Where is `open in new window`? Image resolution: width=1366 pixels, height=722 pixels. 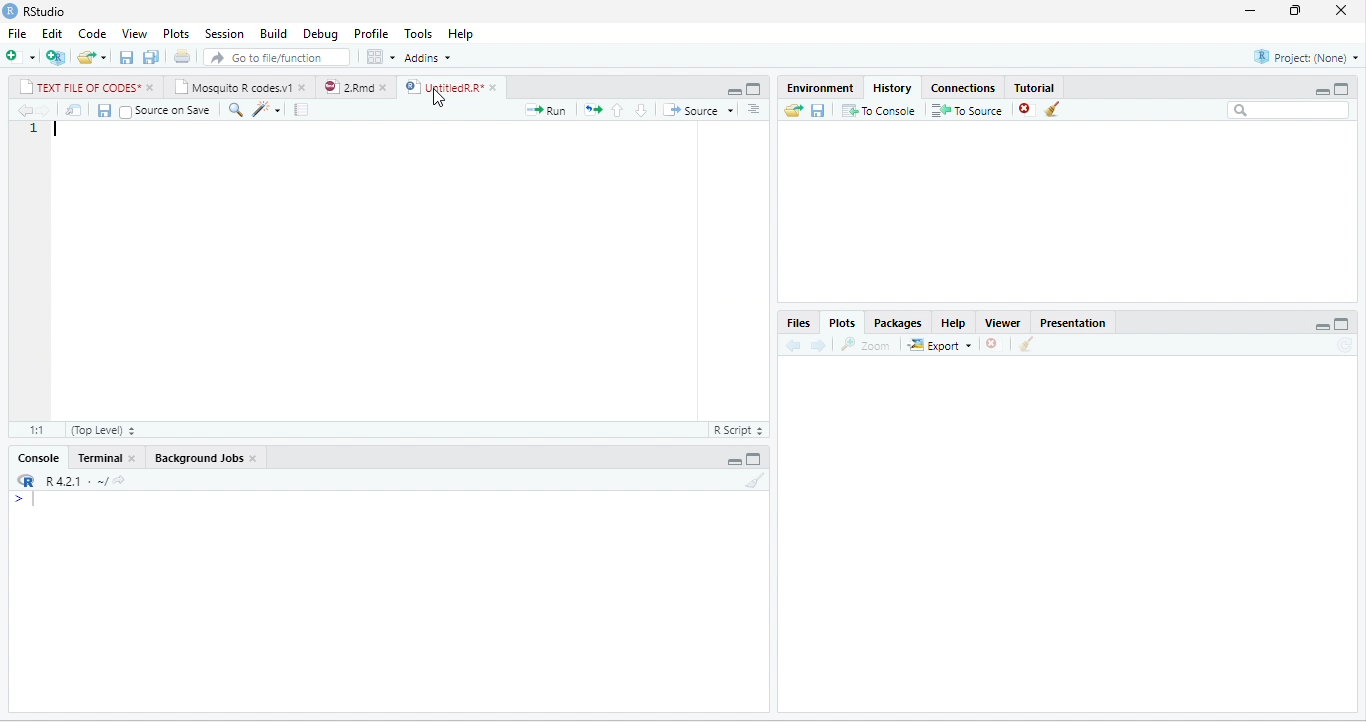 open in new window is located at coordinates (73, 110).